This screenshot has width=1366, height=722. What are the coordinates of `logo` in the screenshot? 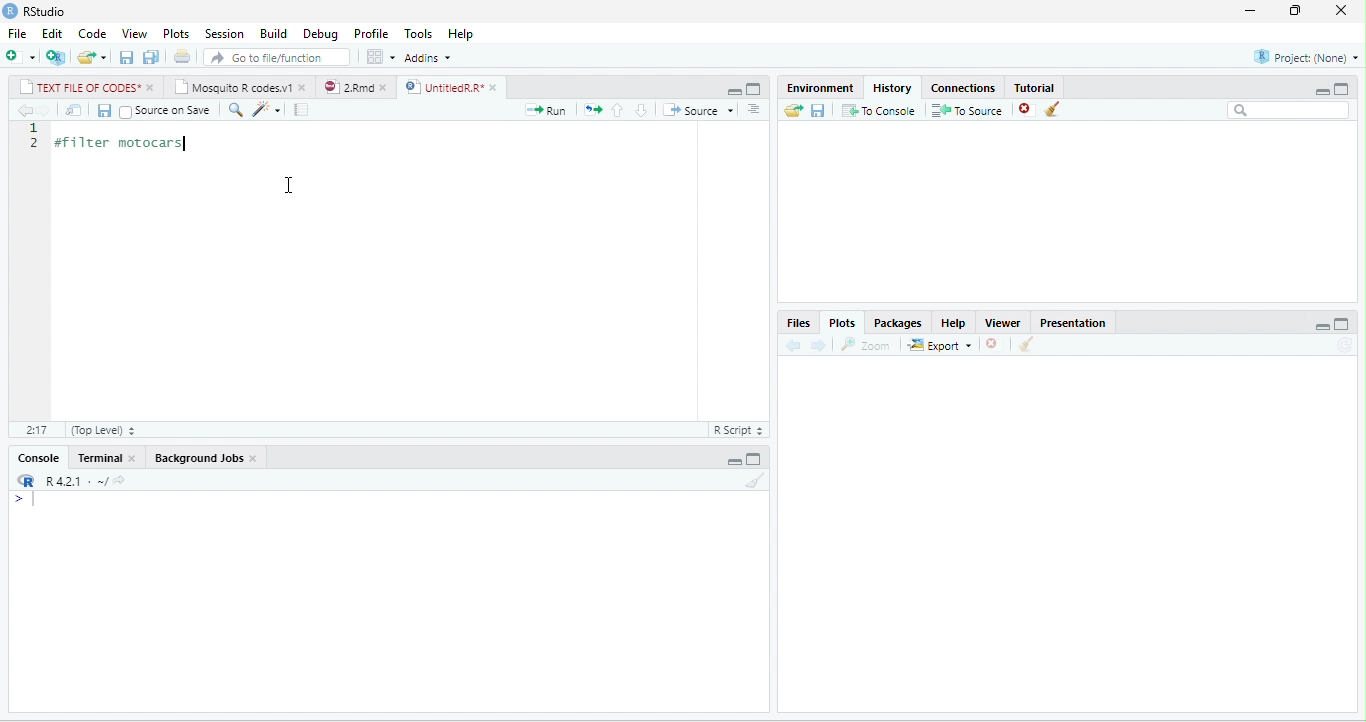 It's located at (10, 11).